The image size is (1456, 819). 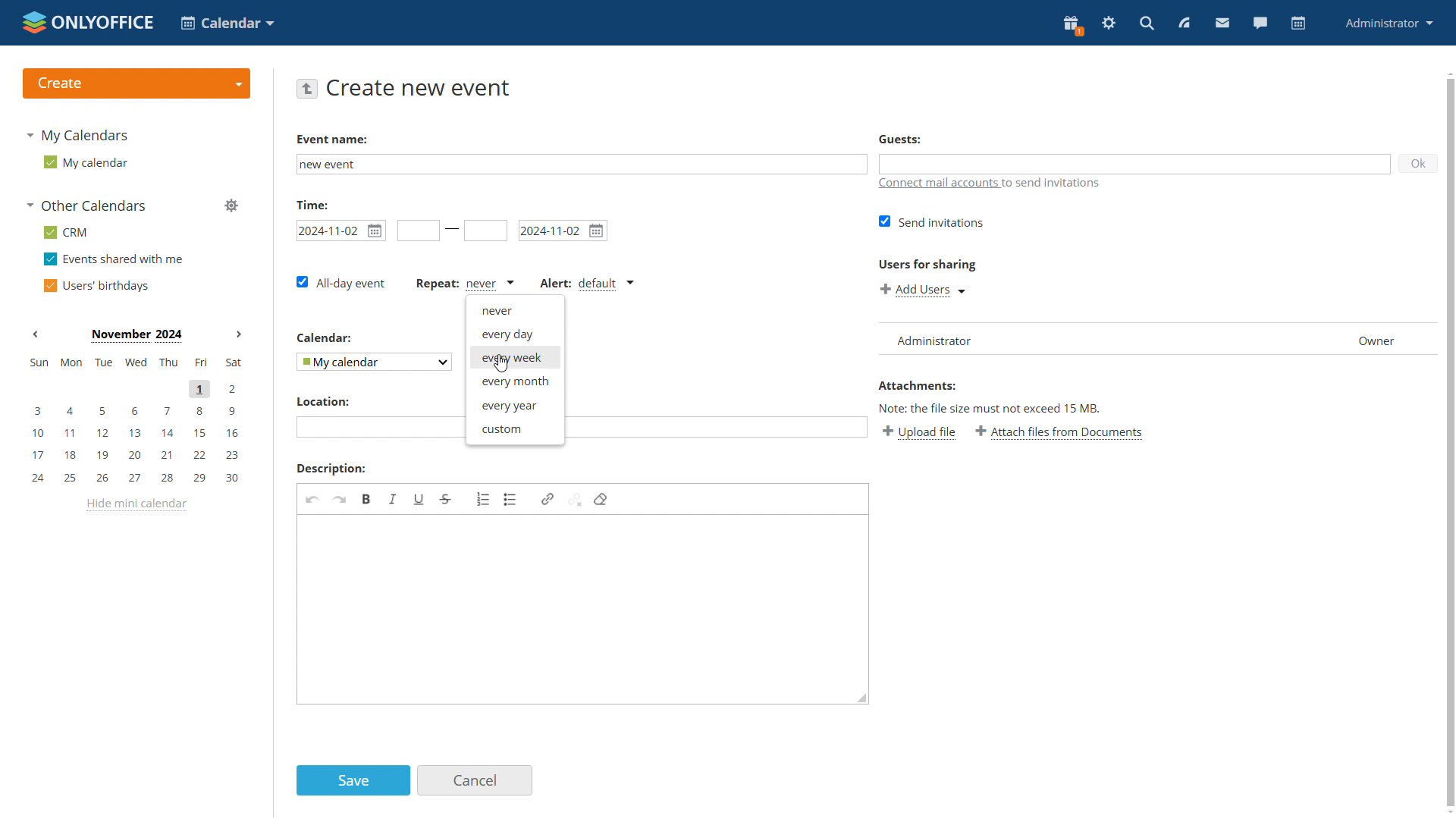 What do you see at coordinates (368, 499) in the screenshot?
I see `bold` at bounding box center [368, 499].